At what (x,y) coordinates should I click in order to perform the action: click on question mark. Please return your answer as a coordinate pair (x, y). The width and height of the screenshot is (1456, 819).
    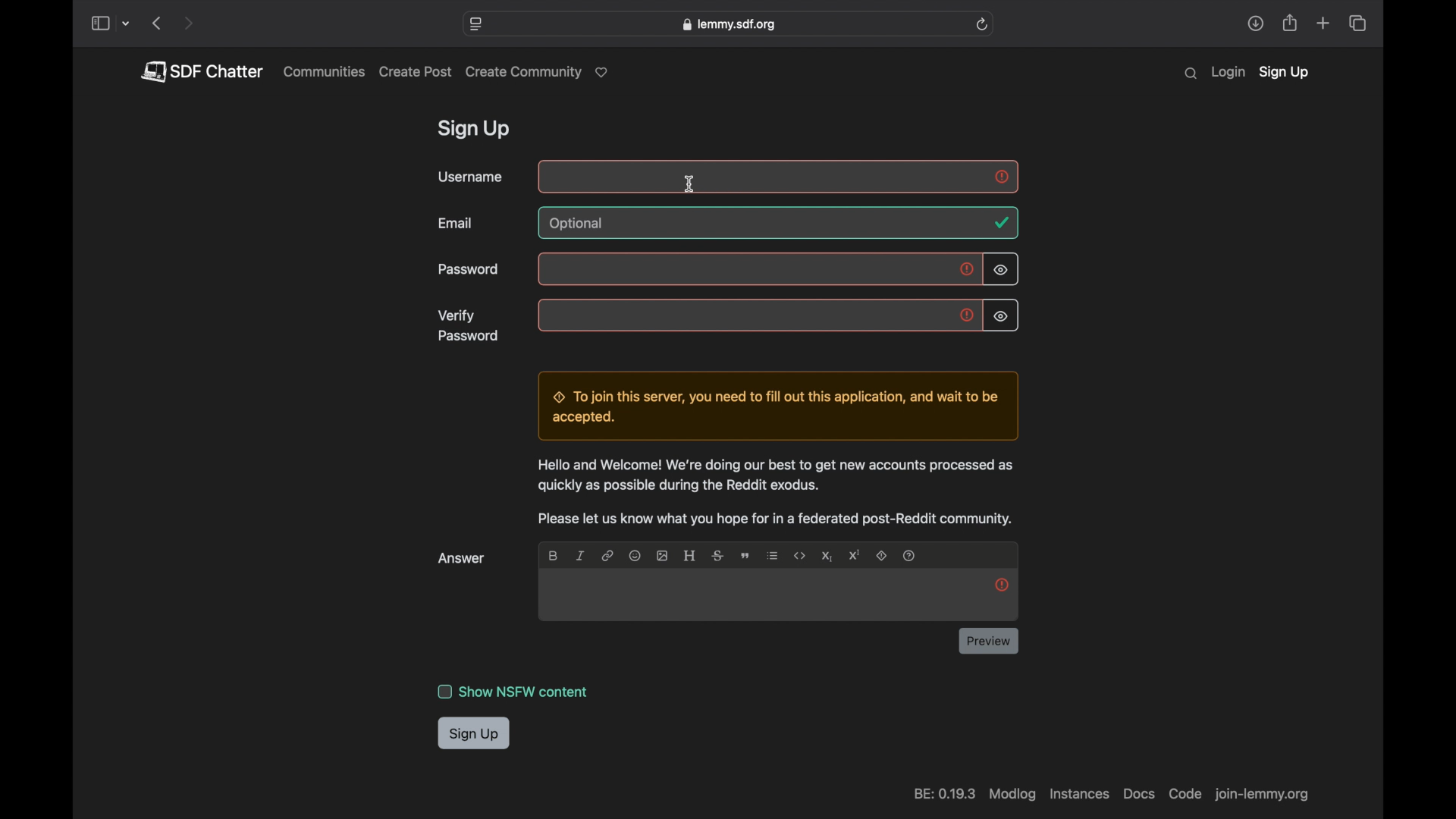
    Looking at the image, I should click on (910, 555).